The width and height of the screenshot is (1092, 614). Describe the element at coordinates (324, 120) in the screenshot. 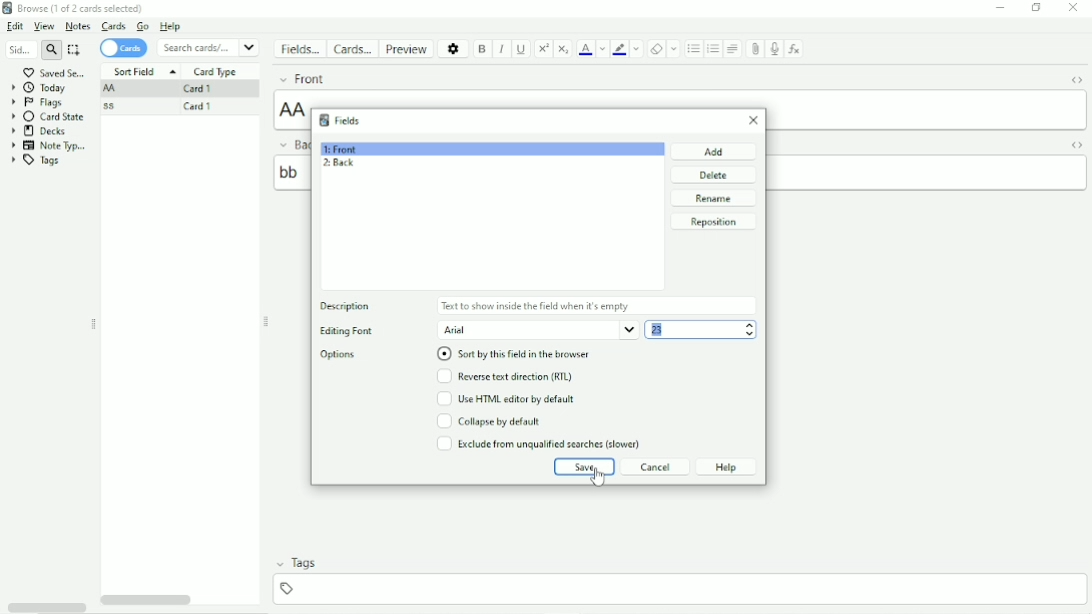

I see `Anki logo` at that location.